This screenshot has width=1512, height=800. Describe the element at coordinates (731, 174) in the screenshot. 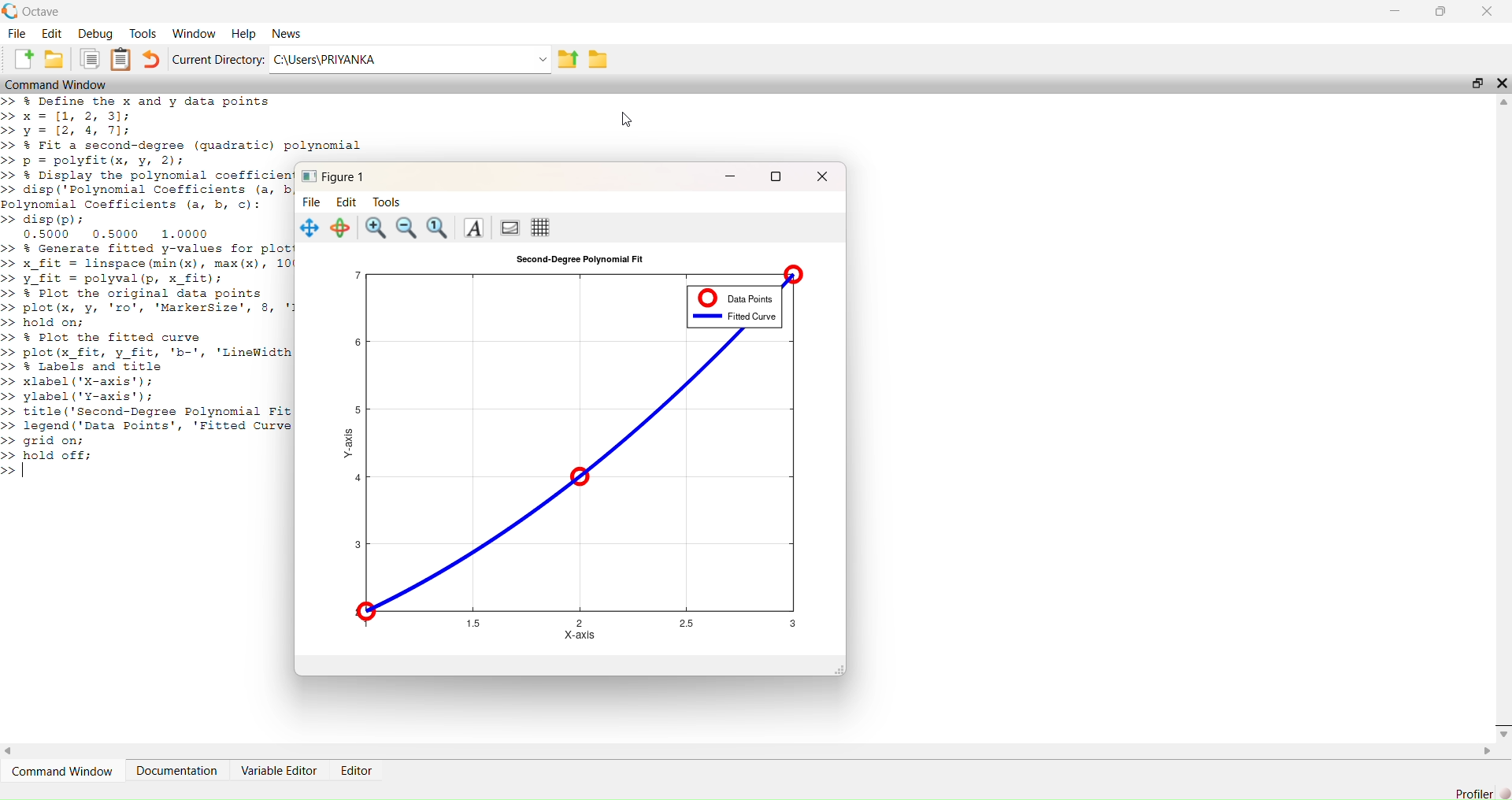

I see `Minimize` at that location.